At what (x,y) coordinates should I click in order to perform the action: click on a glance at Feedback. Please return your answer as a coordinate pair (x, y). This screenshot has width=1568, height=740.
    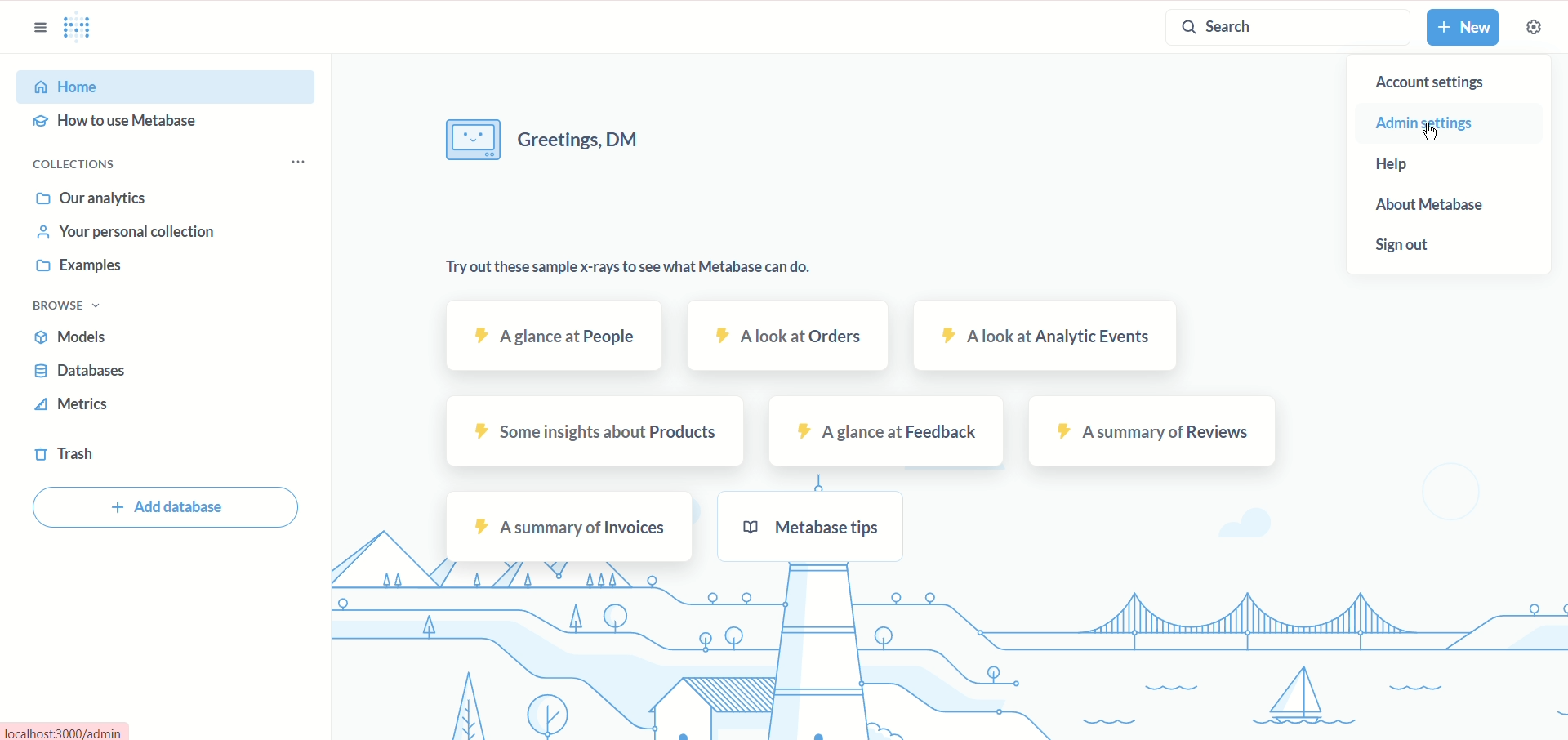
    Looking at the image, I should click on (888, 430).